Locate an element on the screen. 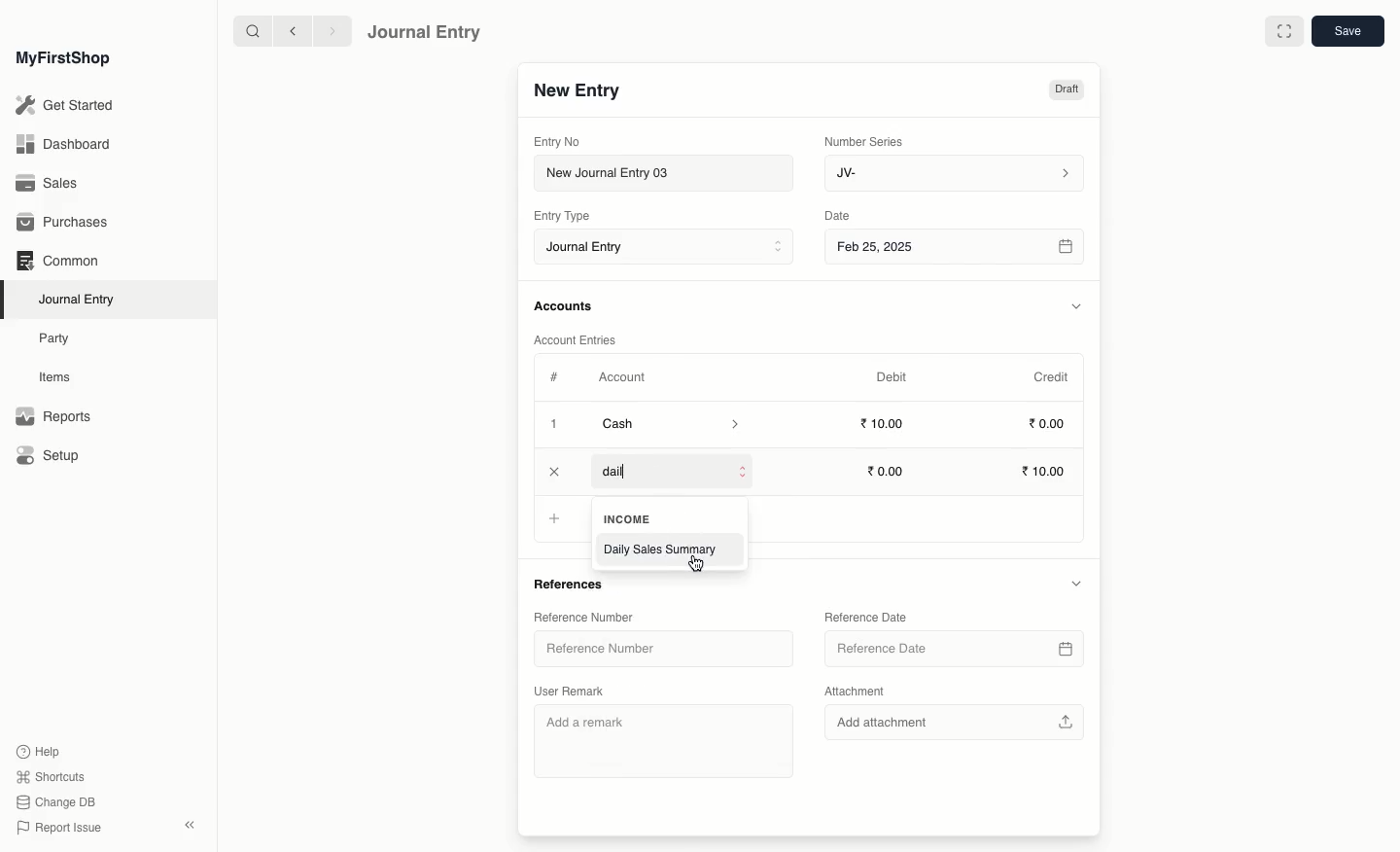 The image size is (1400, 852). Reference Date is located at coordinates (952, 649).